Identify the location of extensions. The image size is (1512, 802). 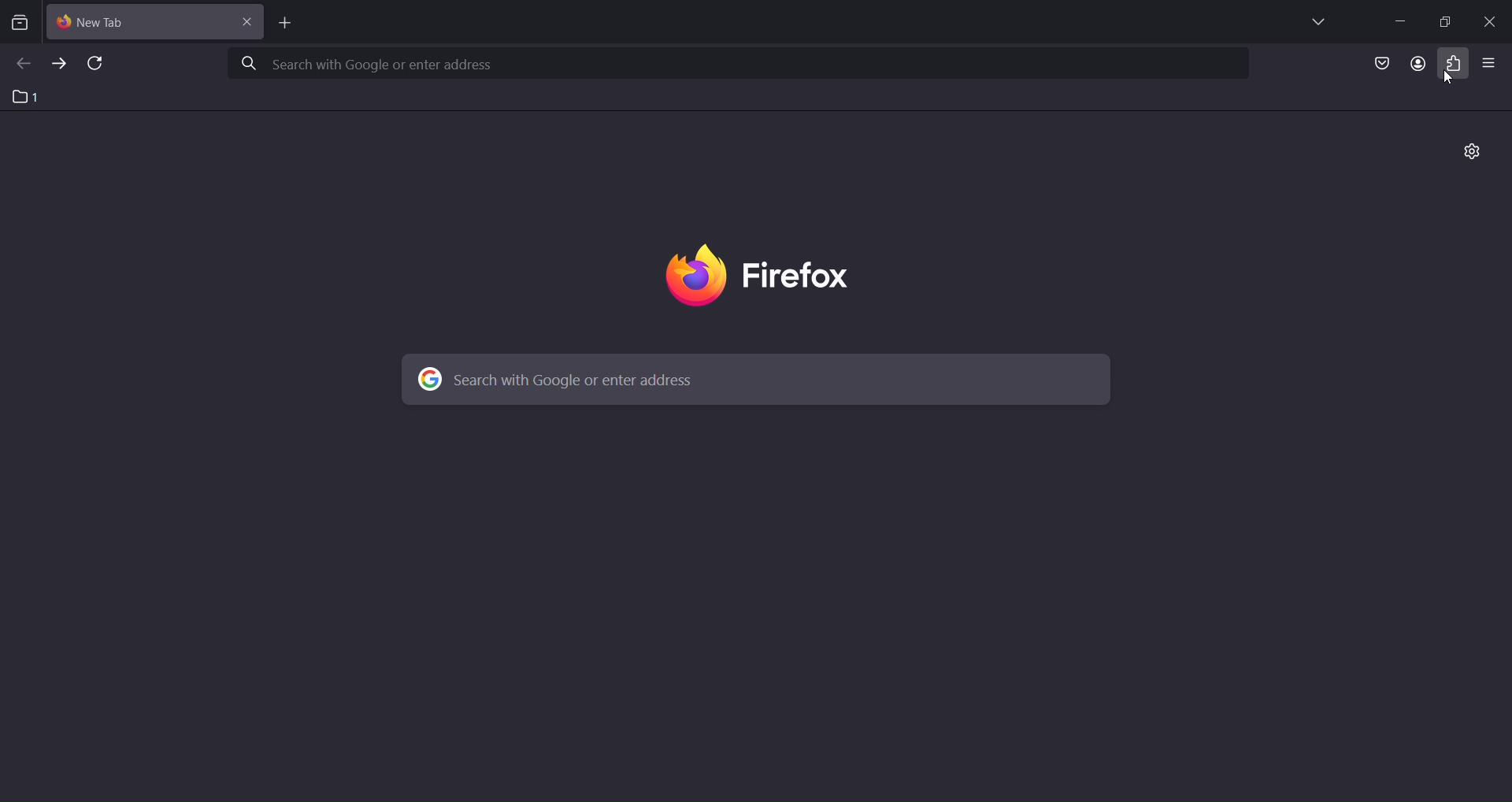
(1451, 63).